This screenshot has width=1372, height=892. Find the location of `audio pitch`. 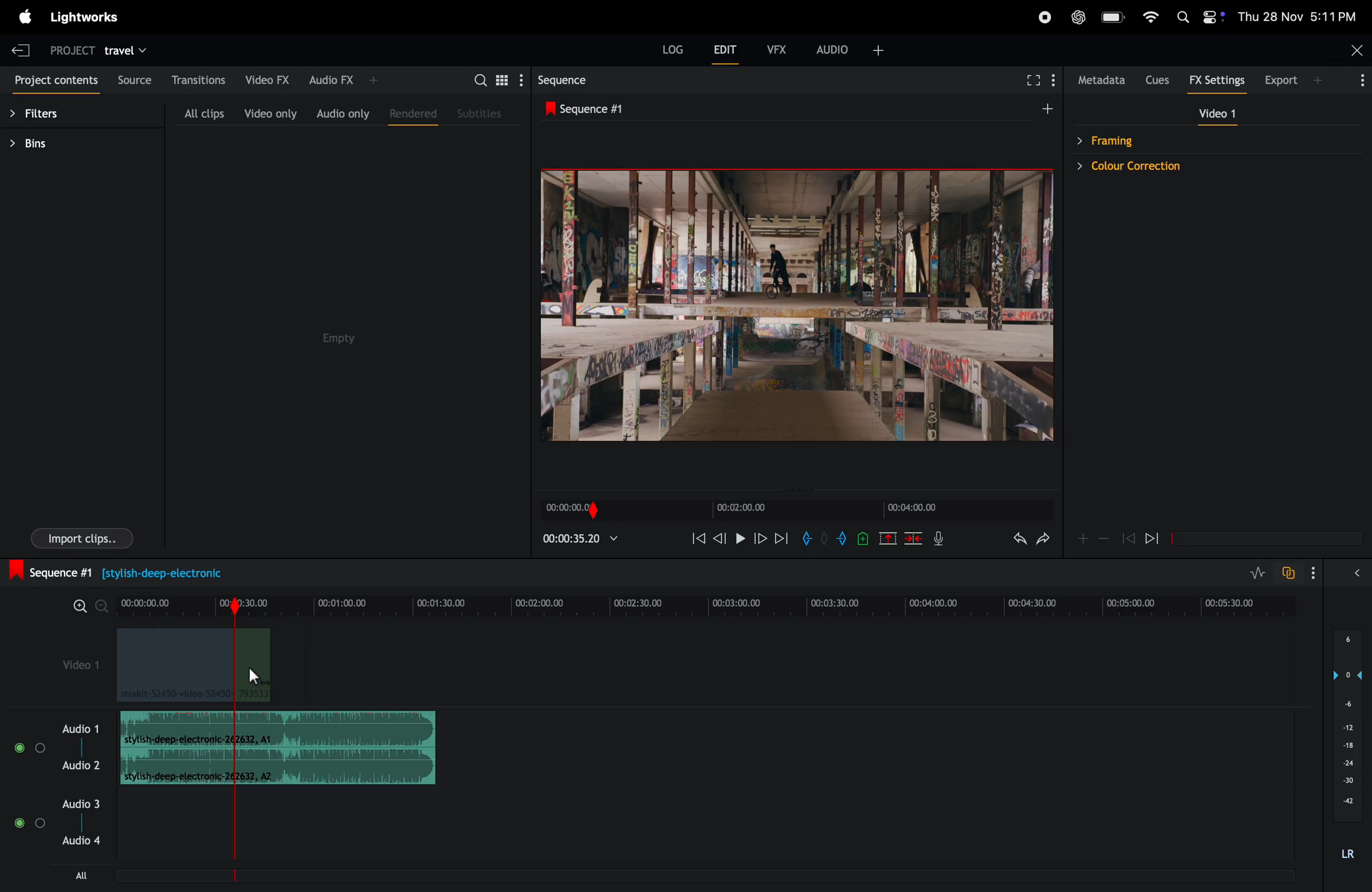

audio pitch is located at coordinates (1347, 743).